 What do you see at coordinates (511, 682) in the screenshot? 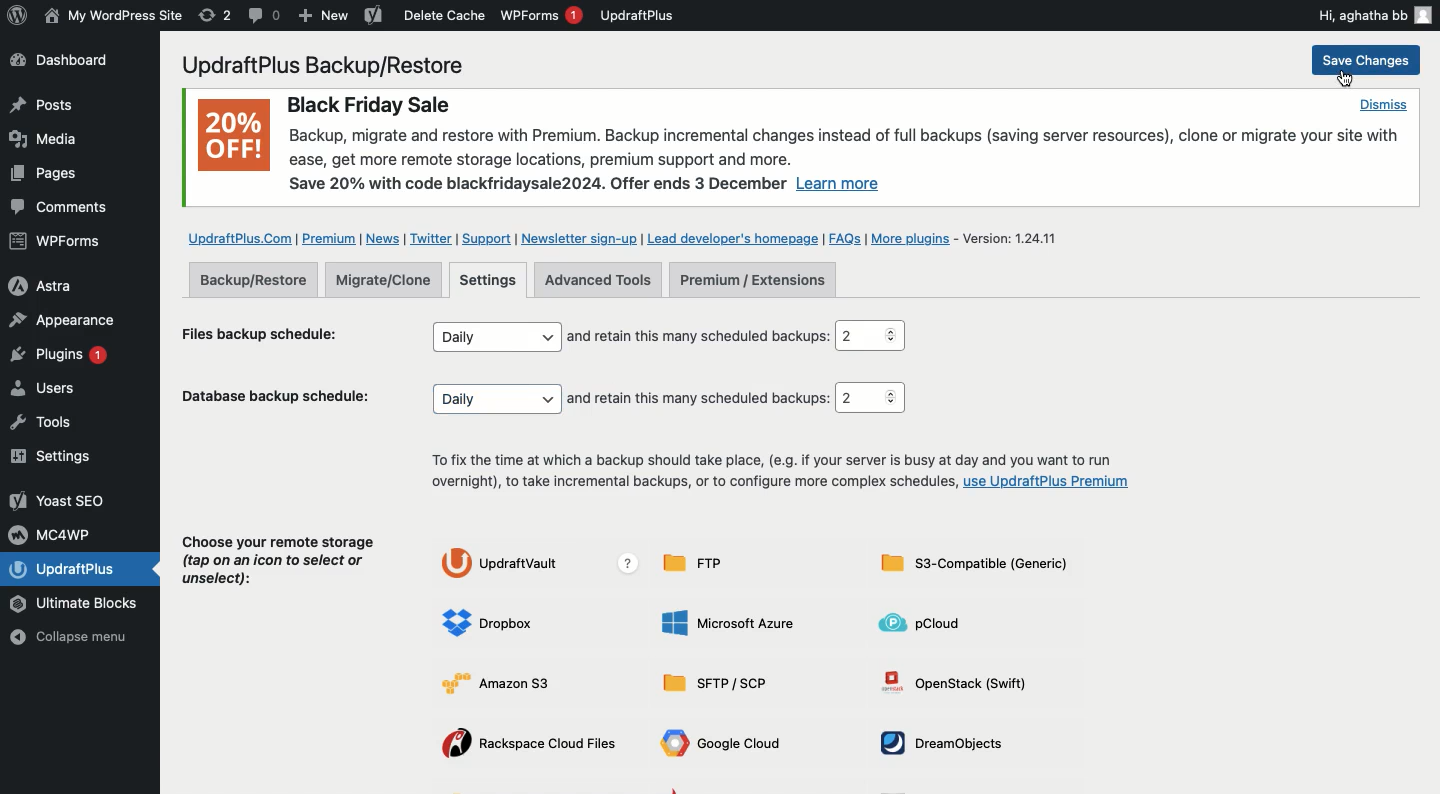
I see `Amazon S3` at bounding box center [511, 682].